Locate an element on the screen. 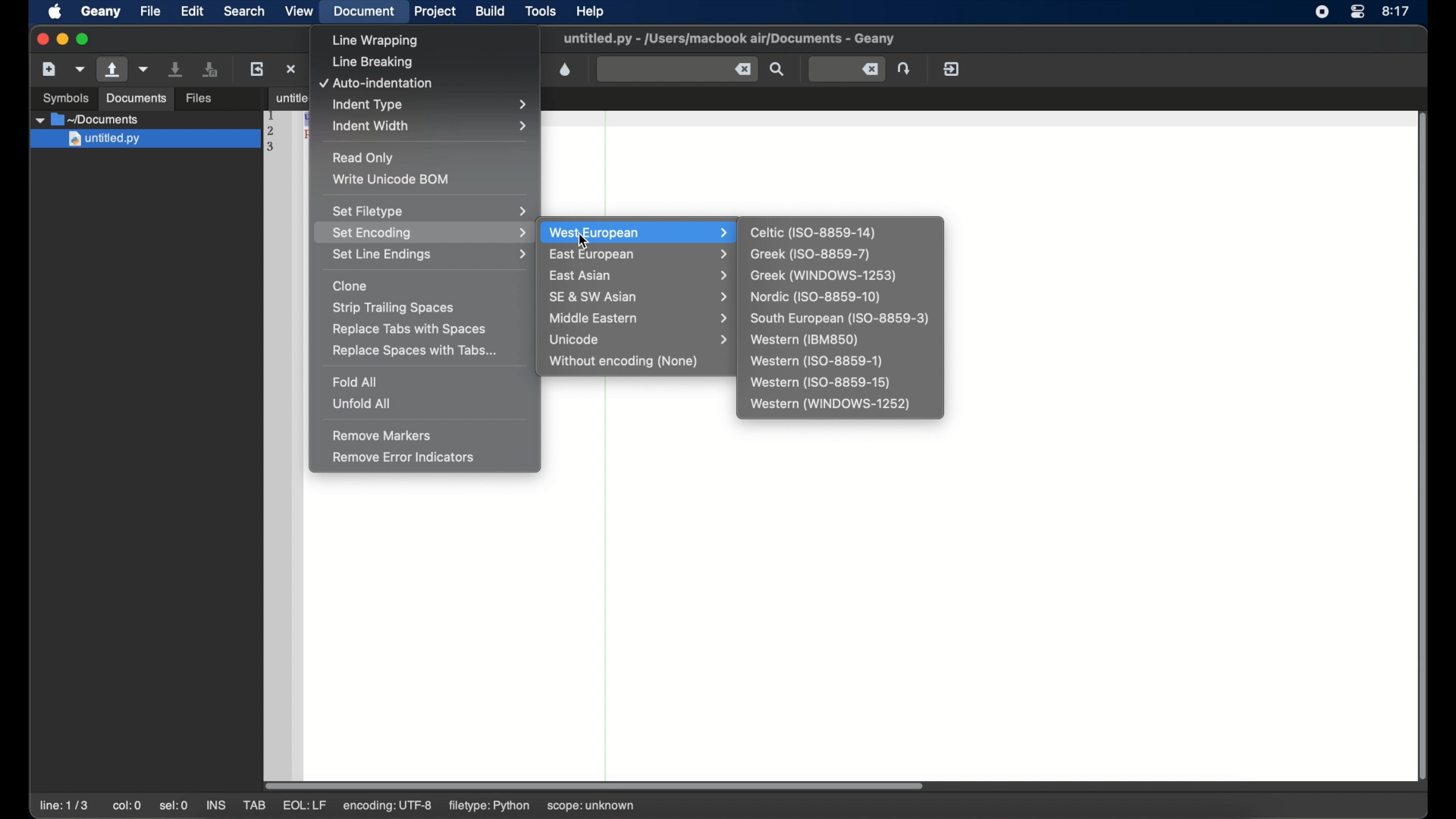 The image size is (1456, 819). unfold all is located at coordinates (360, 403).